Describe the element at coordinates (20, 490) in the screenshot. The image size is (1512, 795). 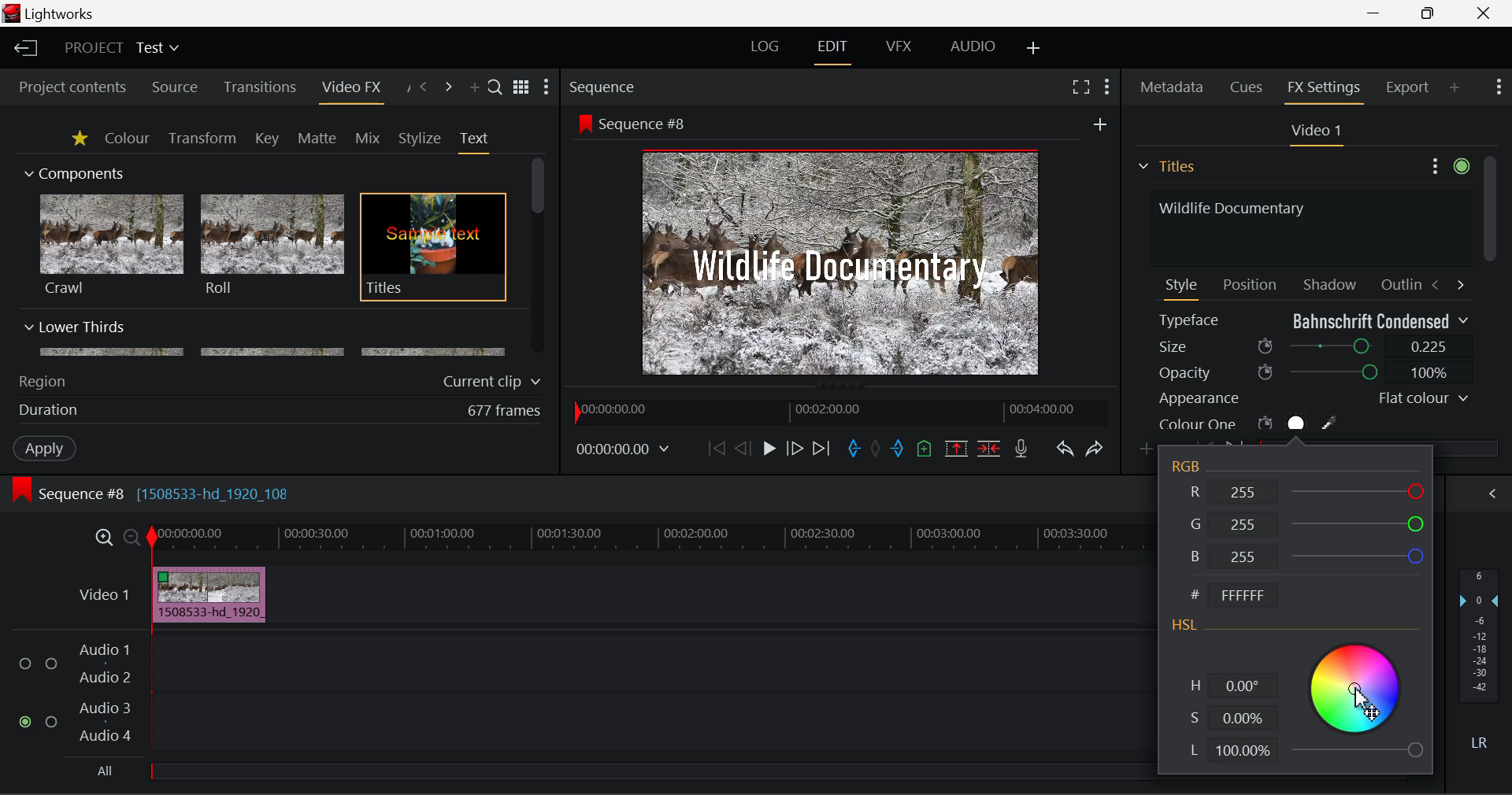
I see `icon` at that location.